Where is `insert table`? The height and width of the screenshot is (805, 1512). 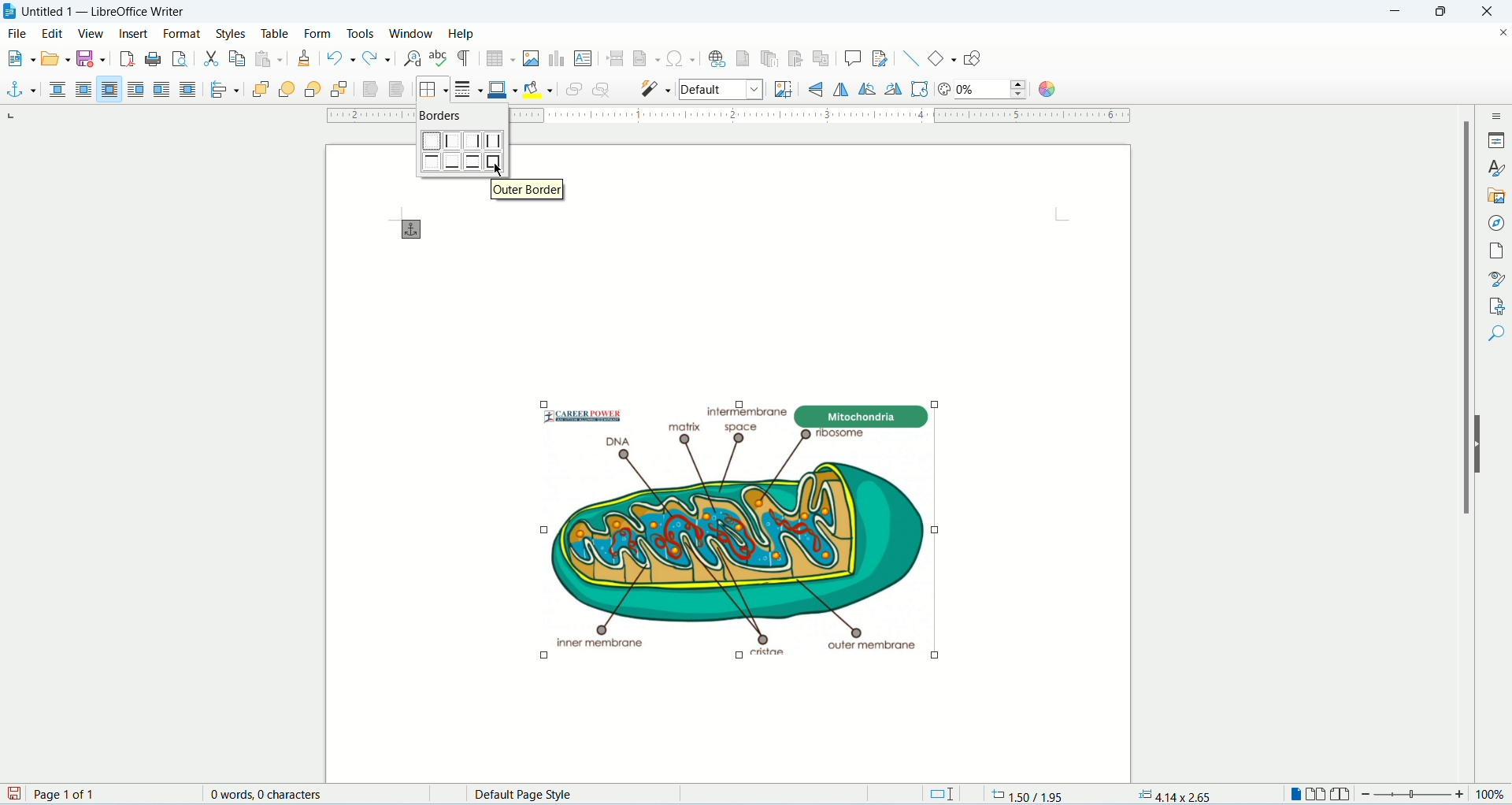 insert table is located at coordinates (499, 59).